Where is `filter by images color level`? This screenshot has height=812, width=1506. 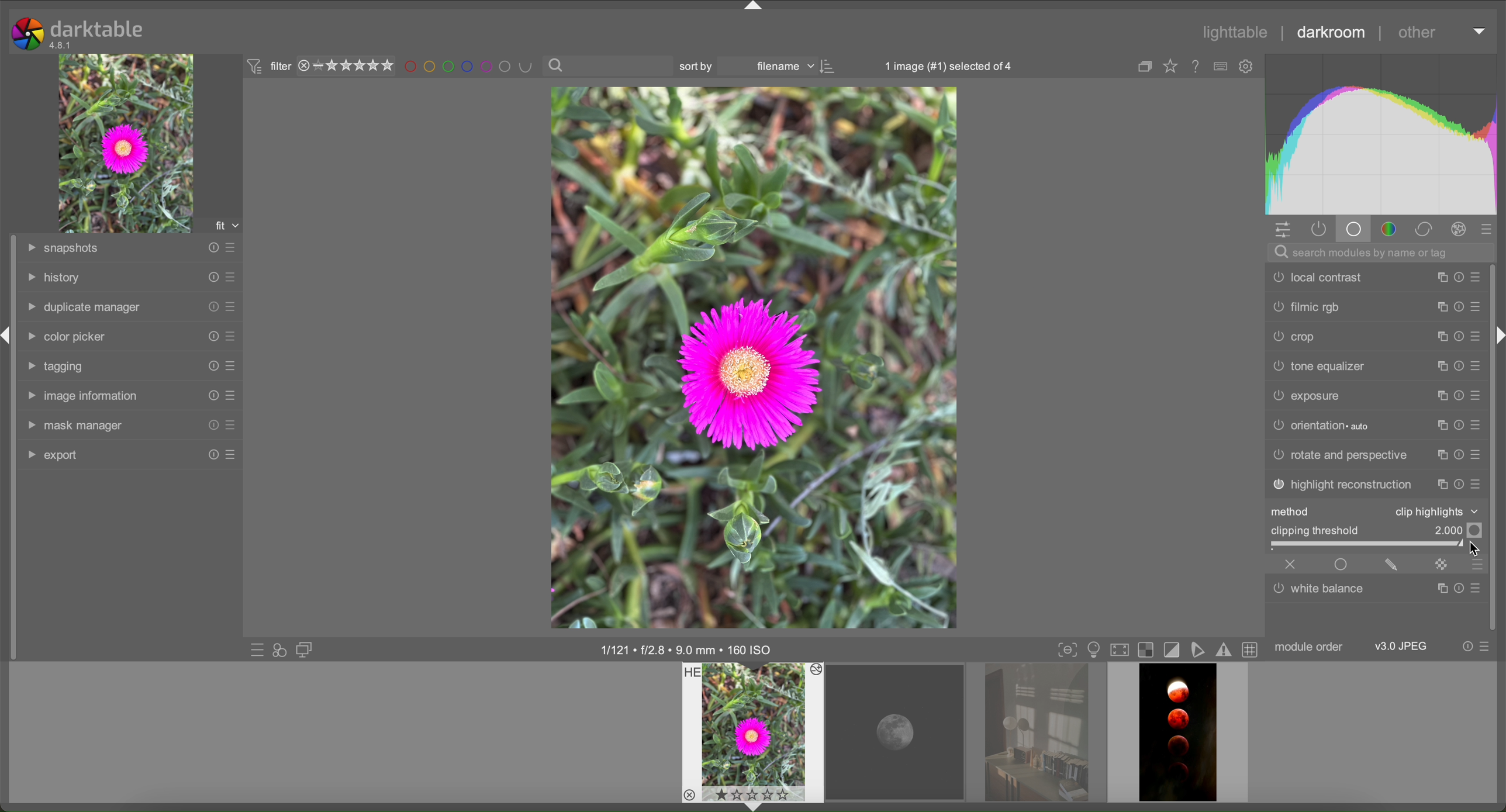
filter by images color level is located at coordinates (469, 67).